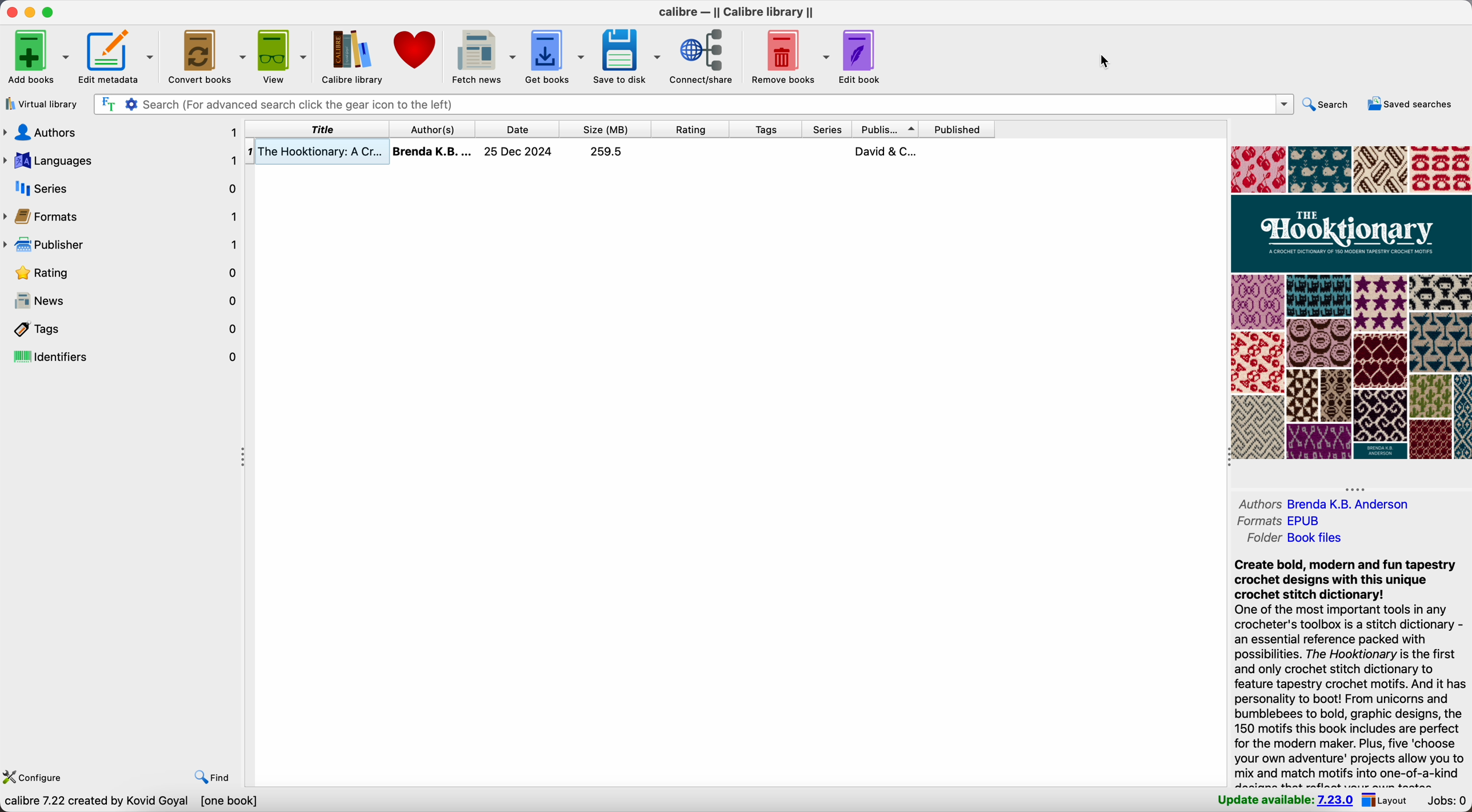 This screenshot has height=812, width=1472. I want to click on saved searches, so click(1411, 103).